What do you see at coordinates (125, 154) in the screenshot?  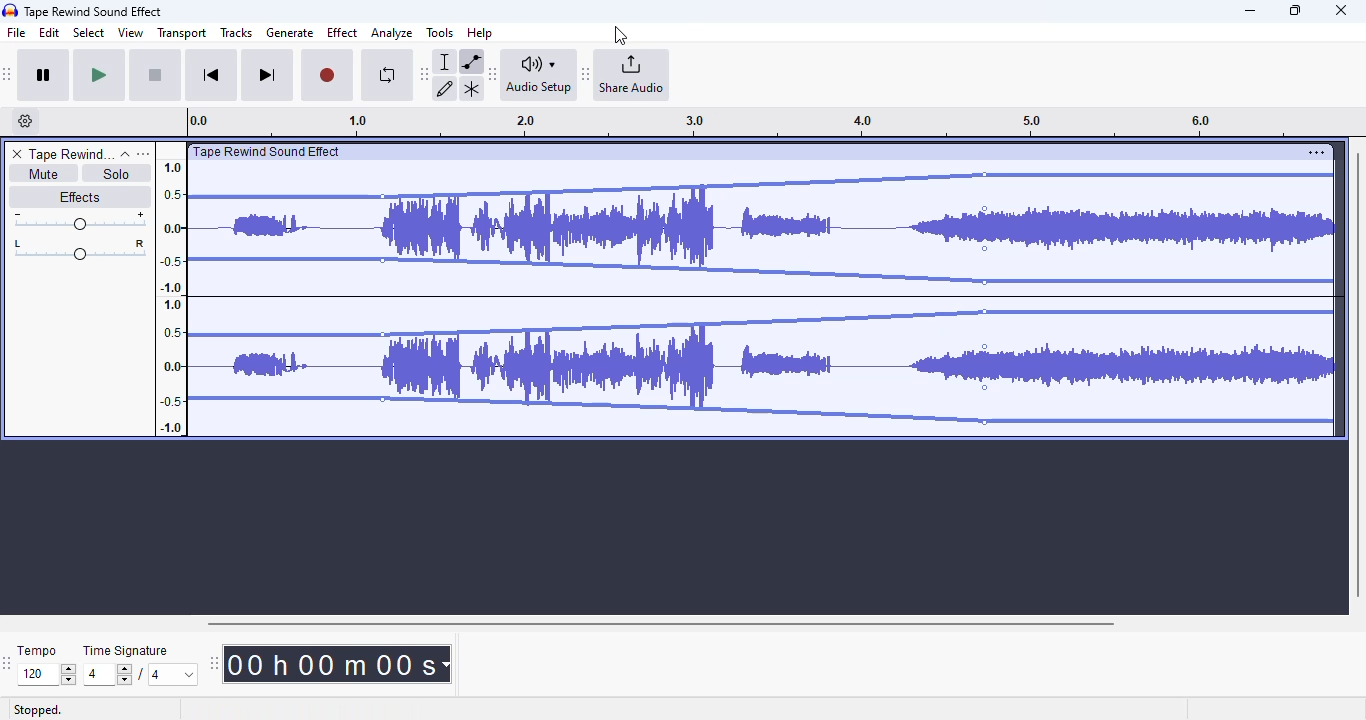 I see `collapse` at bounding box center [125, 154].